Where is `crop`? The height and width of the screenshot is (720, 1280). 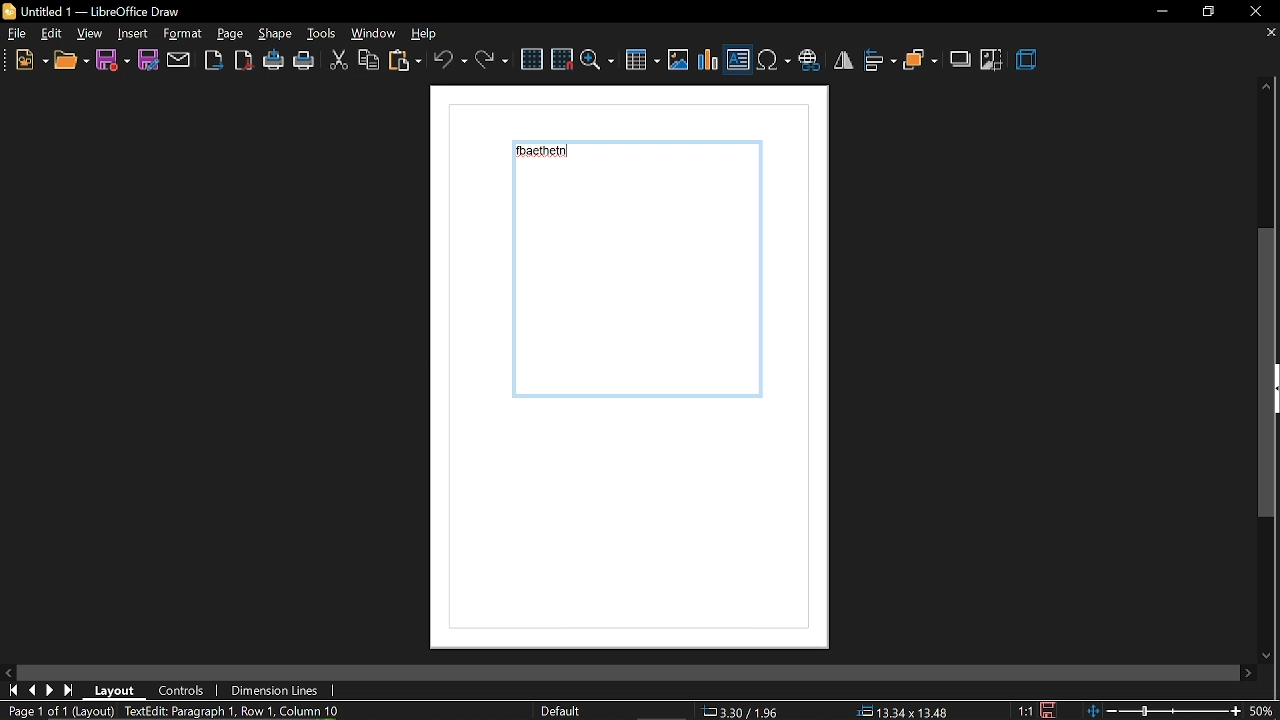
crop is located at coordinates (993, 62).